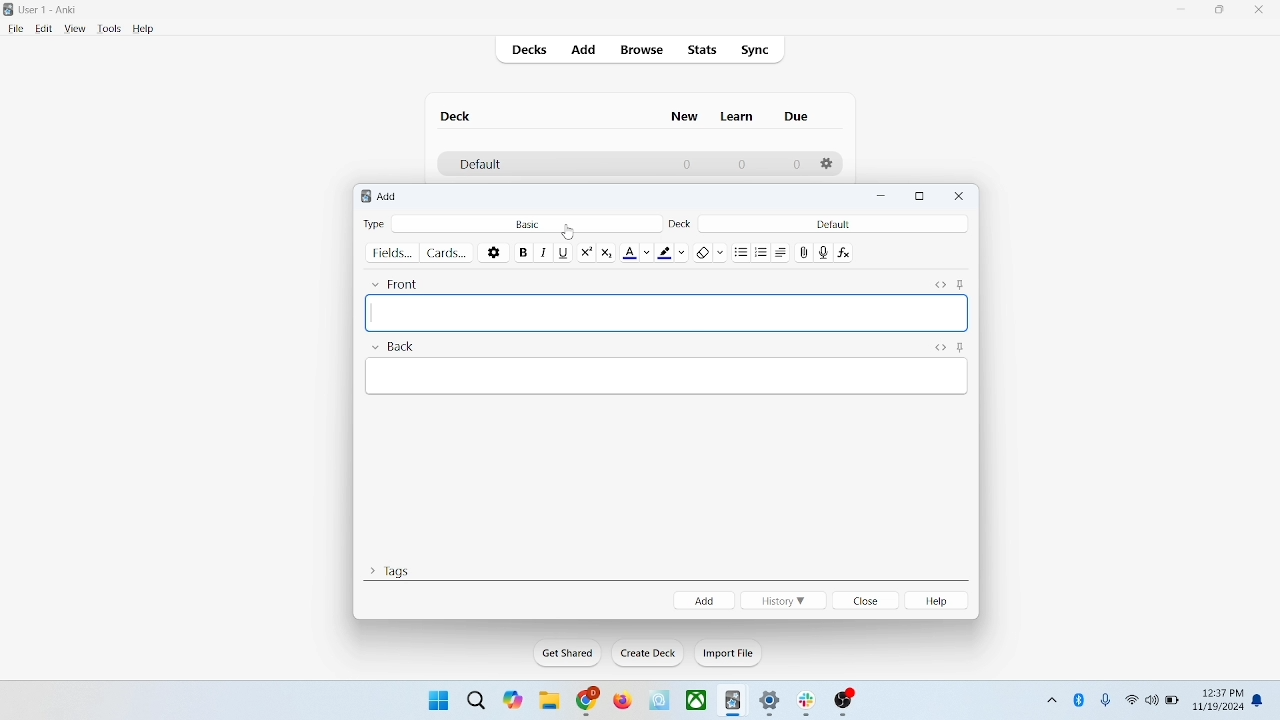 The image size is (1280, 720). I want to click on stats, so click(701, 50).